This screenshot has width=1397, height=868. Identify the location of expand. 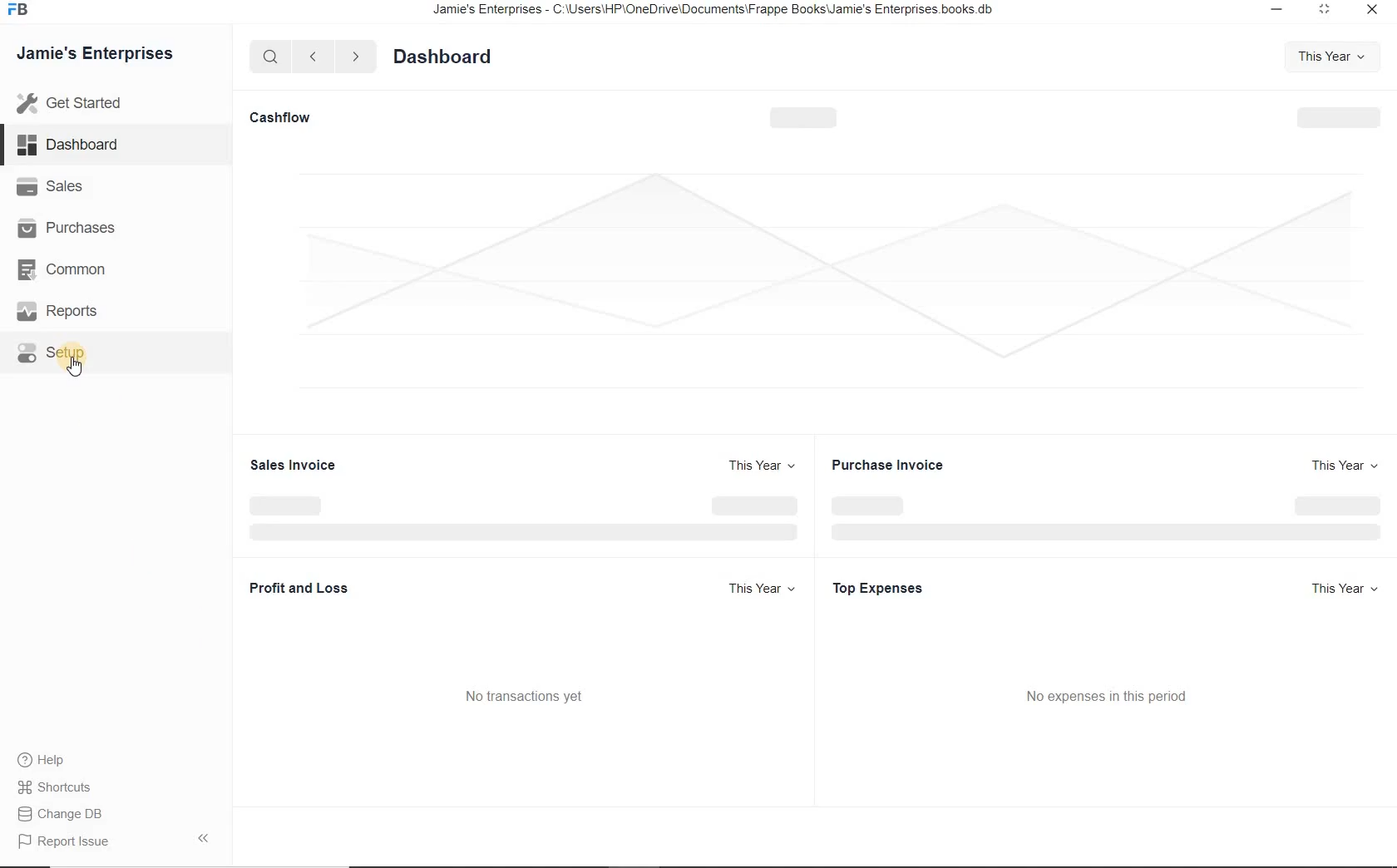
(207, 837).